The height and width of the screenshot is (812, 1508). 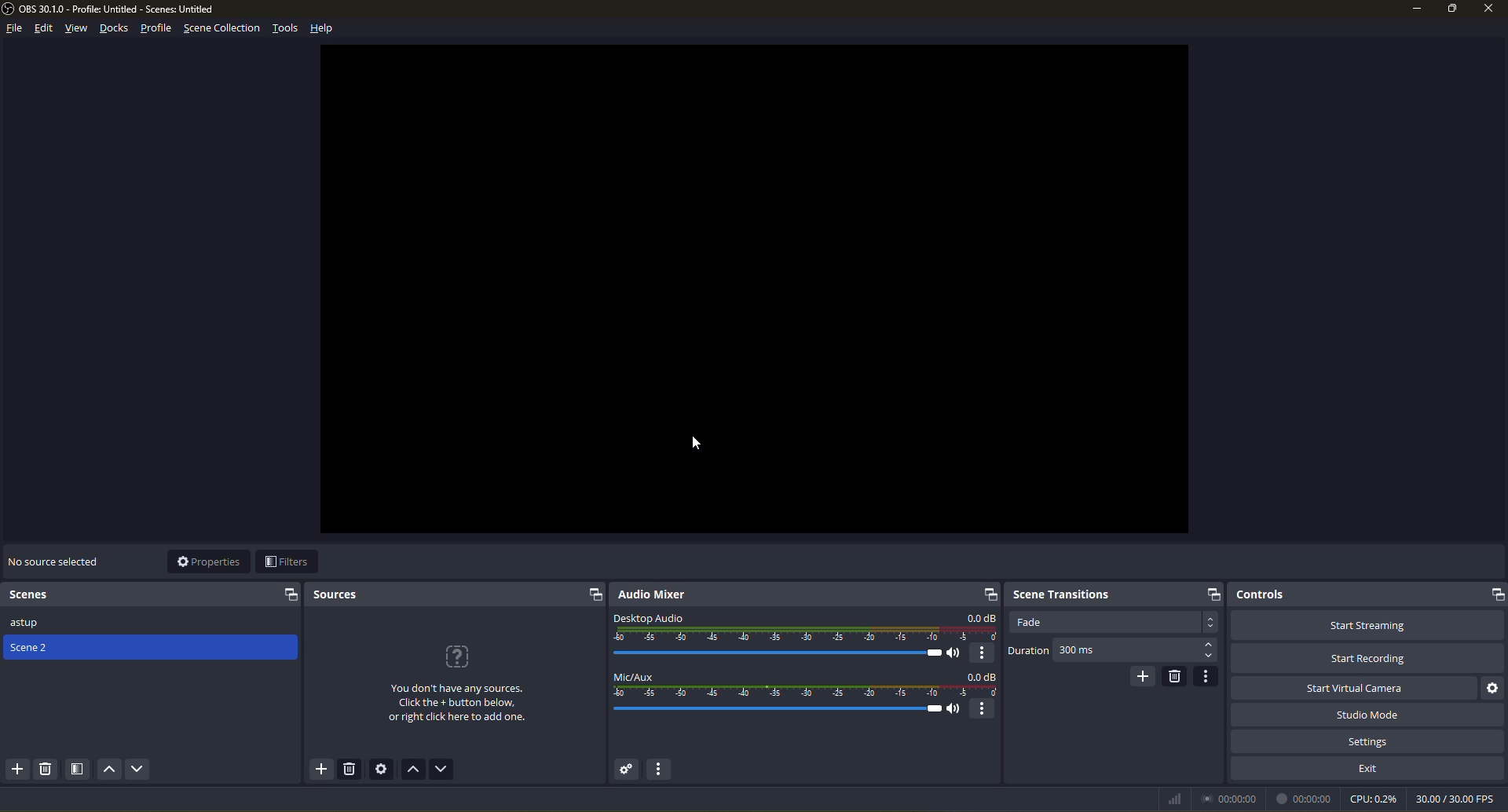 I want to click on sound level, so click(x=775, y=653).